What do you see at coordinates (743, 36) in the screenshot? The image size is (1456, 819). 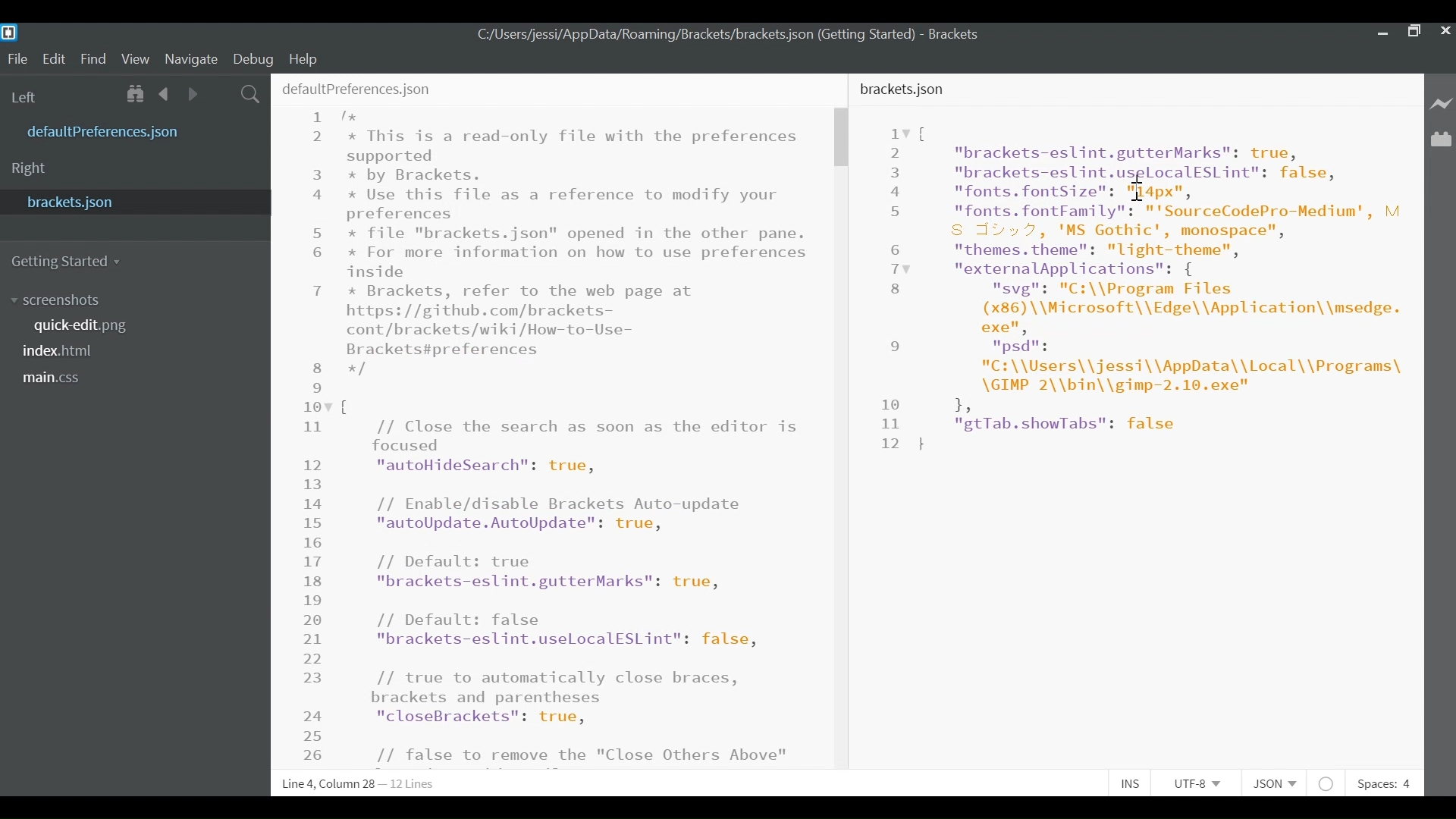 I see `C:/Users/jessi/AppData/Roaming/Brackets/brackets. json (Getting Started) - Brackets` at bounding box center [743, 36].